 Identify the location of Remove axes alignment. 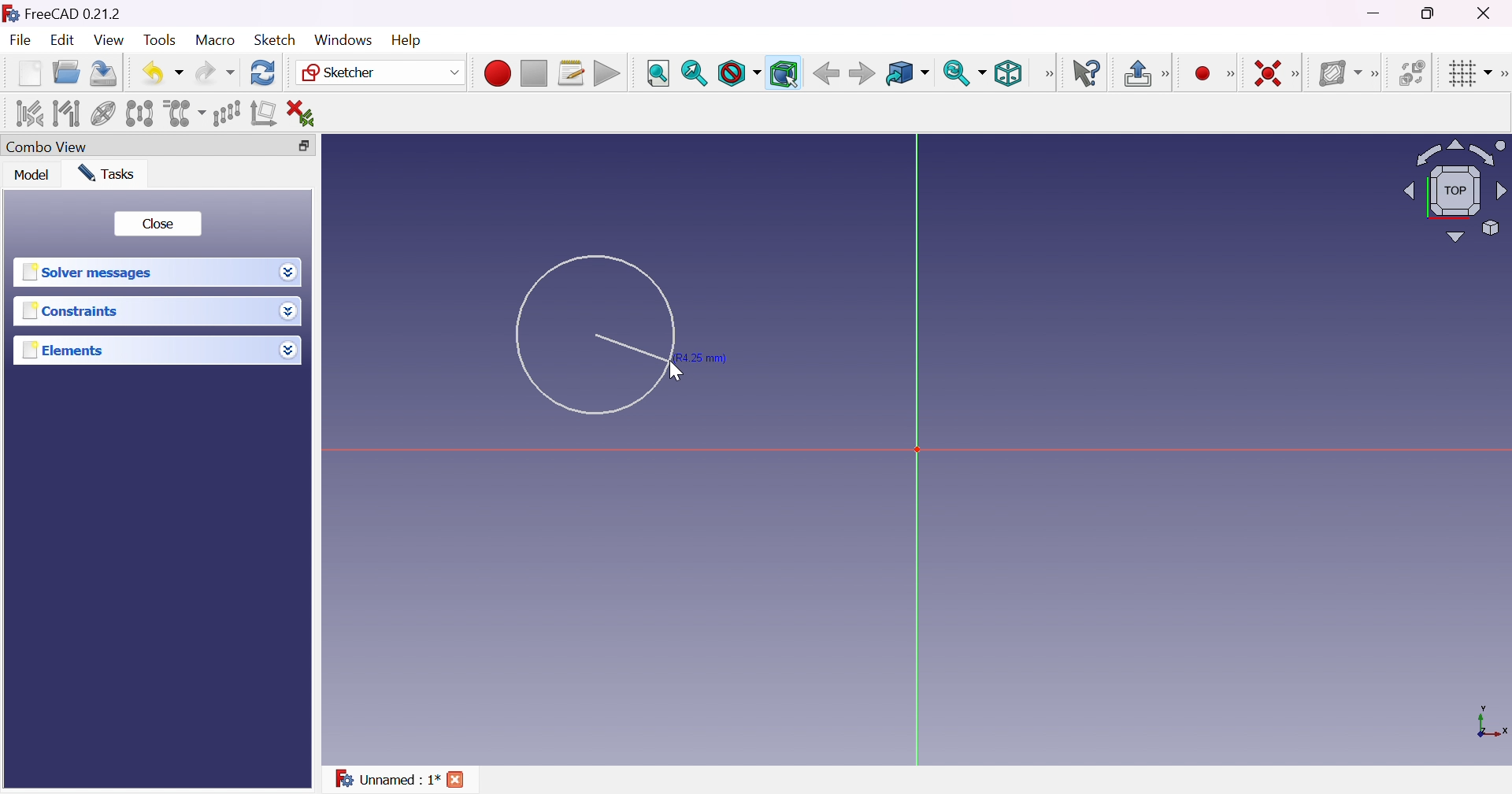
(265, 113).